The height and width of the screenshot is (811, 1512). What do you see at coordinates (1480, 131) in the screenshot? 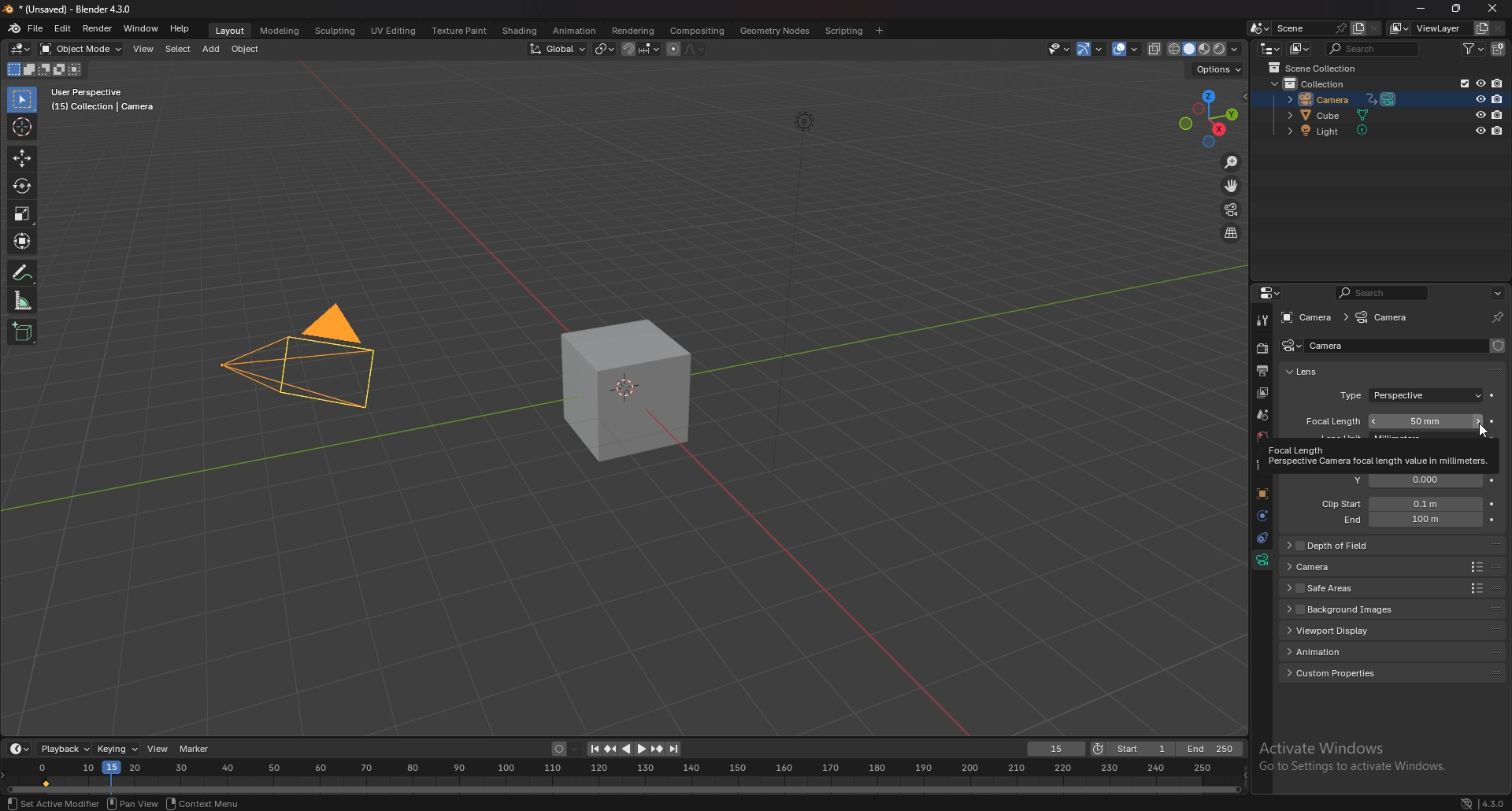
I see `hide in viewport` at bounding box center [1480, 131].